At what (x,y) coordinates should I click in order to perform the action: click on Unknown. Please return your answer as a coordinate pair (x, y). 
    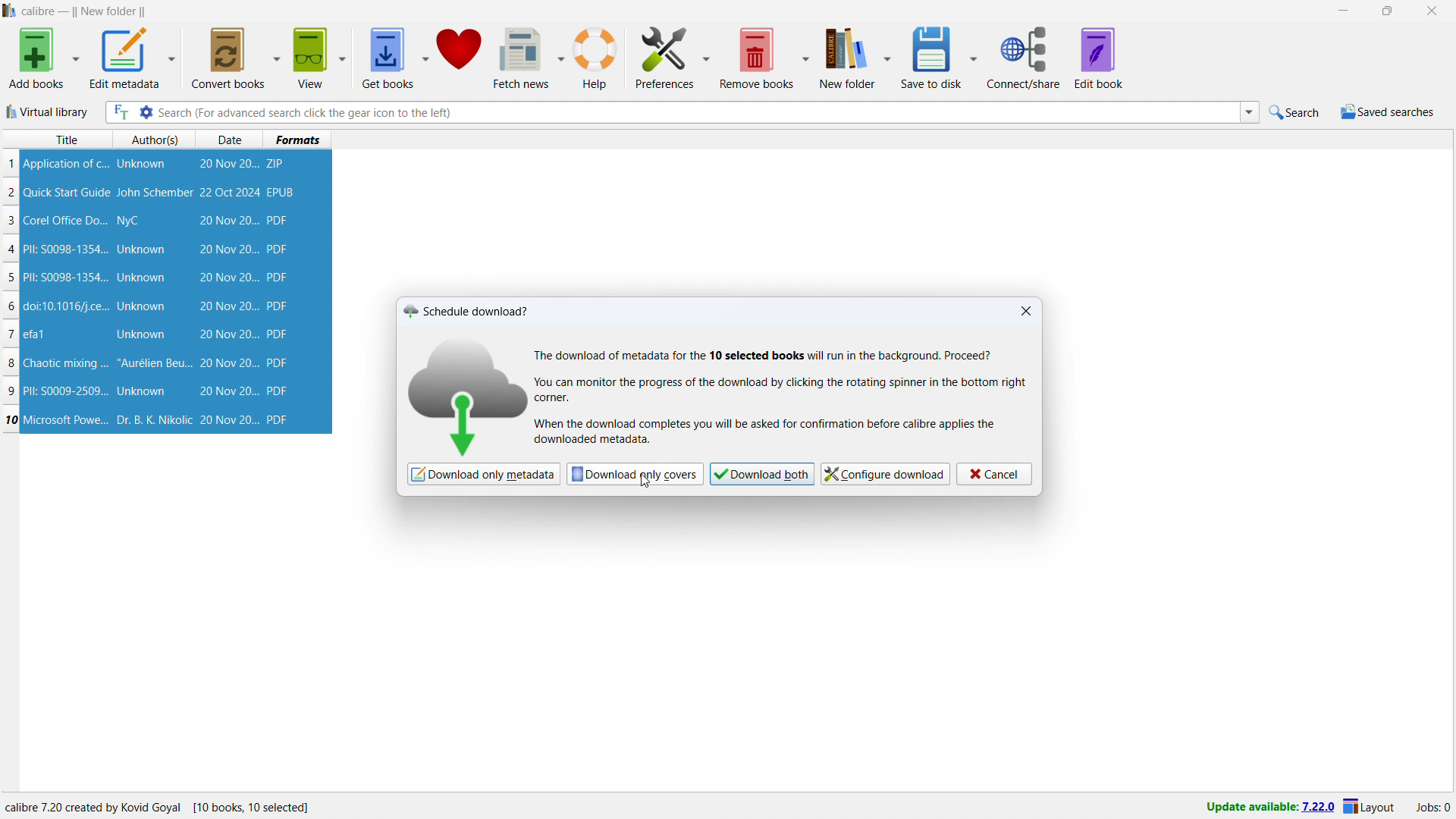
    Looking at the image, I should click on (141, 278).